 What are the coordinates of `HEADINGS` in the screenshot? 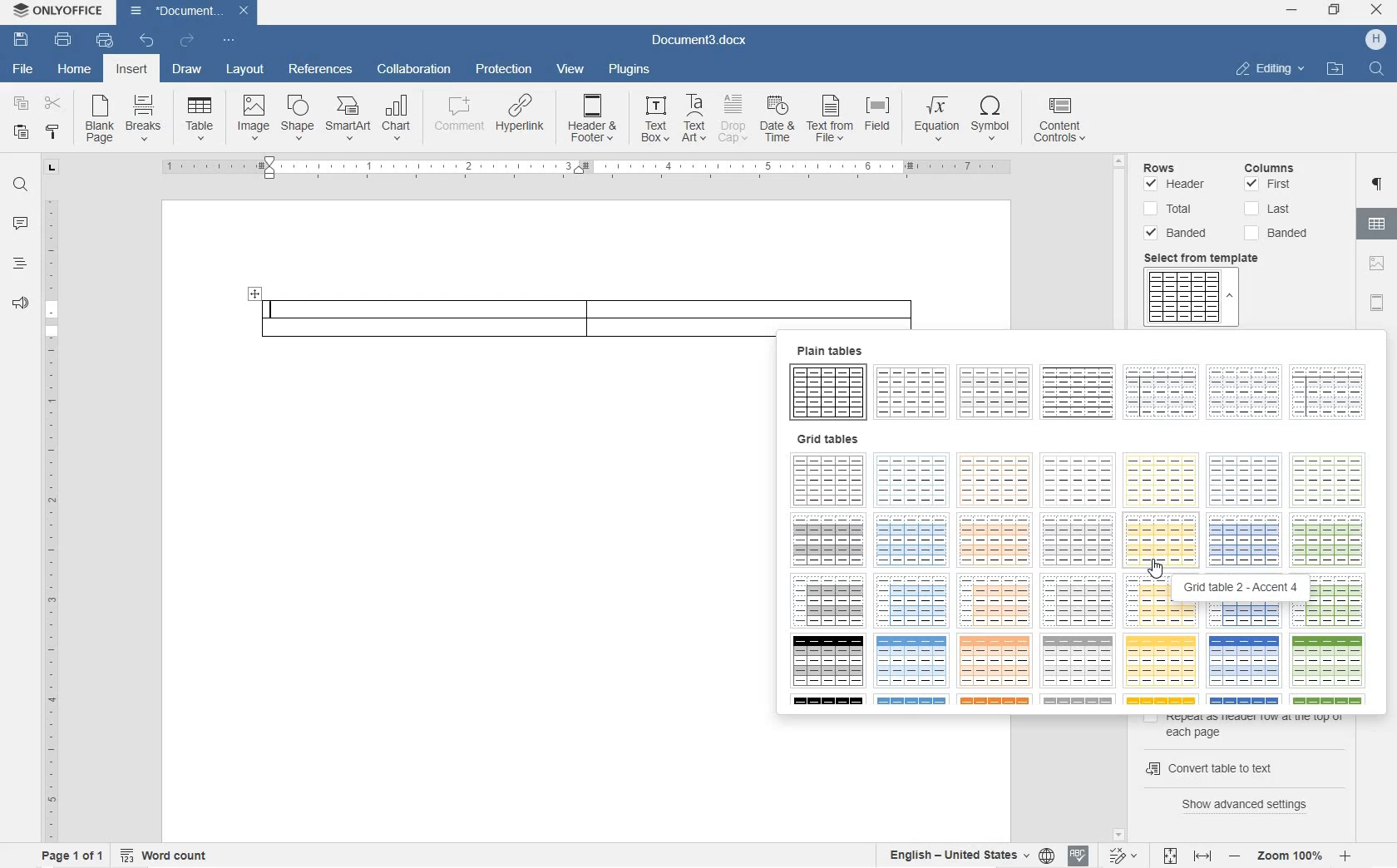 It's located at (17, 267).